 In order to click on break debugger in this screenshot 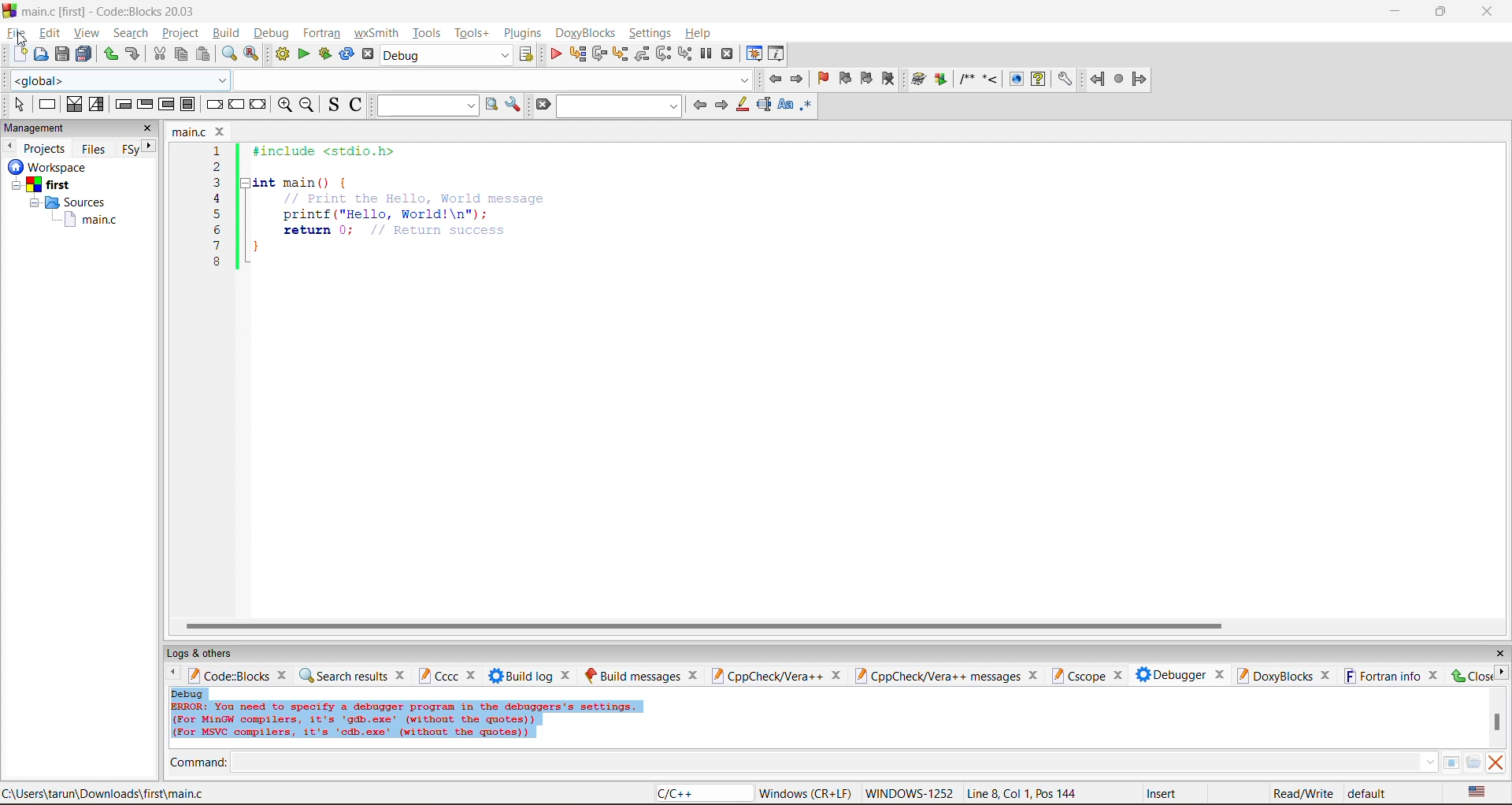, I will do `click(706, 54)`.